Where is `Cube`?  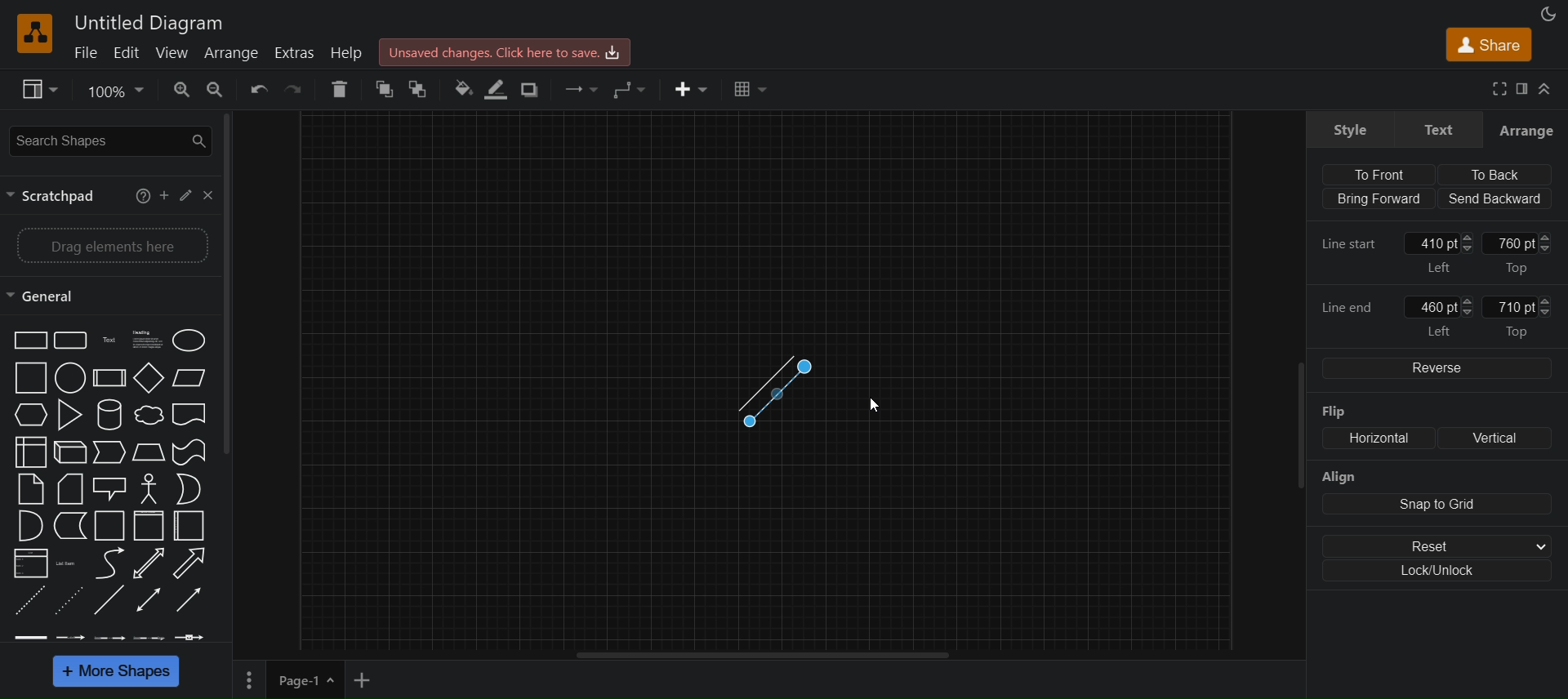 Cube is located at coordinates (69, 452).